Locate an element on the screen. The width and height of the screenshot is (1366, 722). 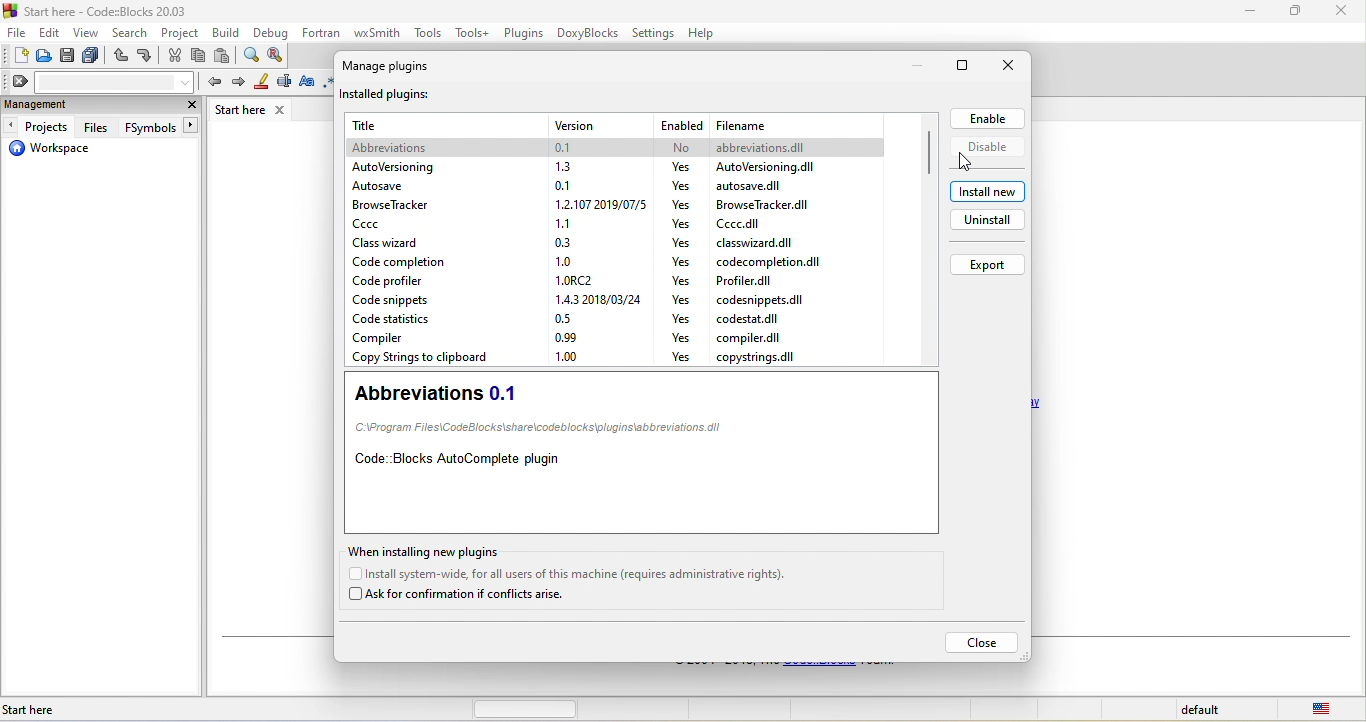
autoversioning is located at coordinates (393, 169).